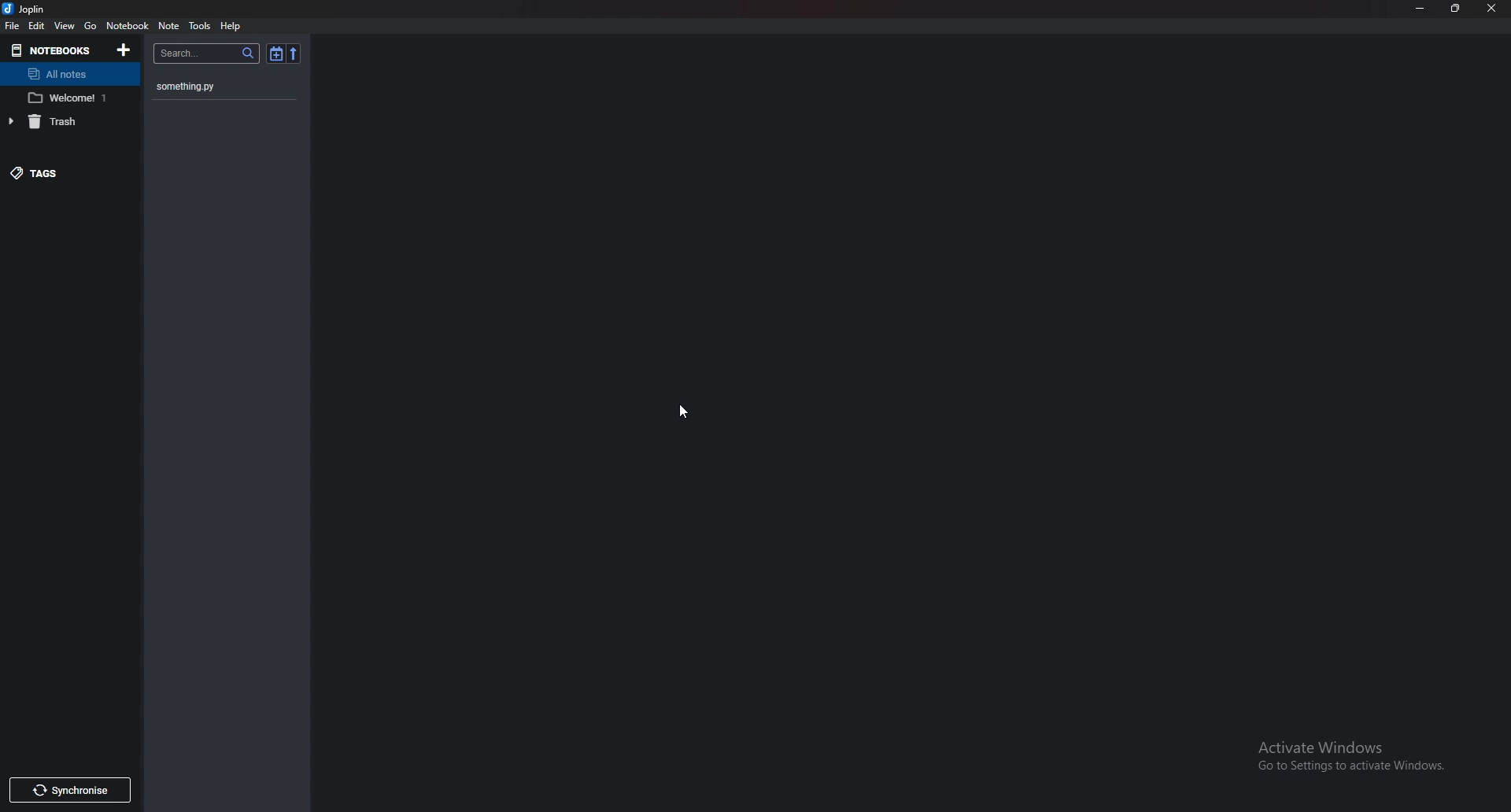 This screenshot has width=1511, height=812. What do you see at coordinates (126, 50) in the screenshot?
I see `Add notebooks` at bounding box center [126, 50].